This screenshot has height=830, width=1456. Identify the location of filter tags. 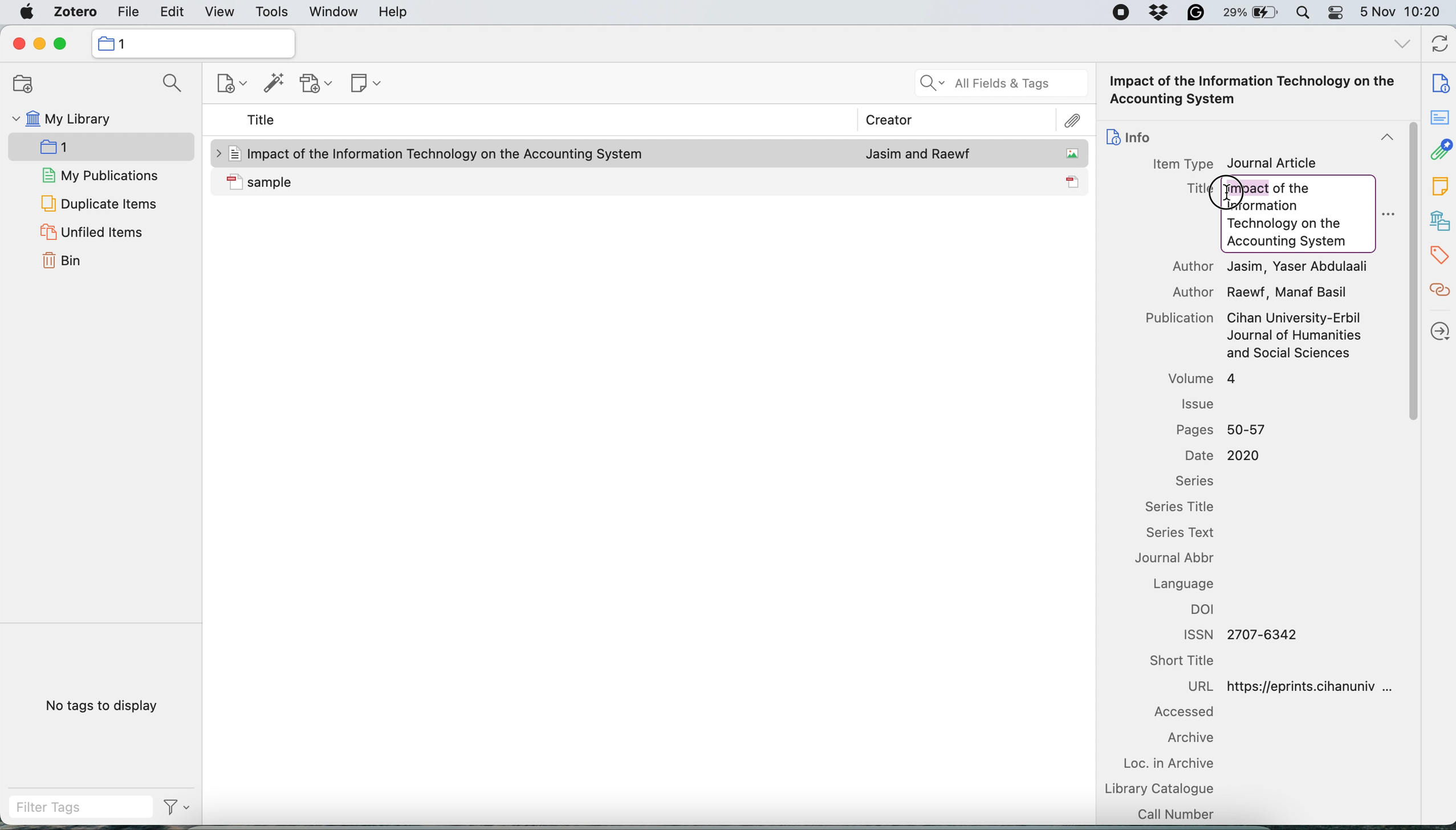
(175, 807).